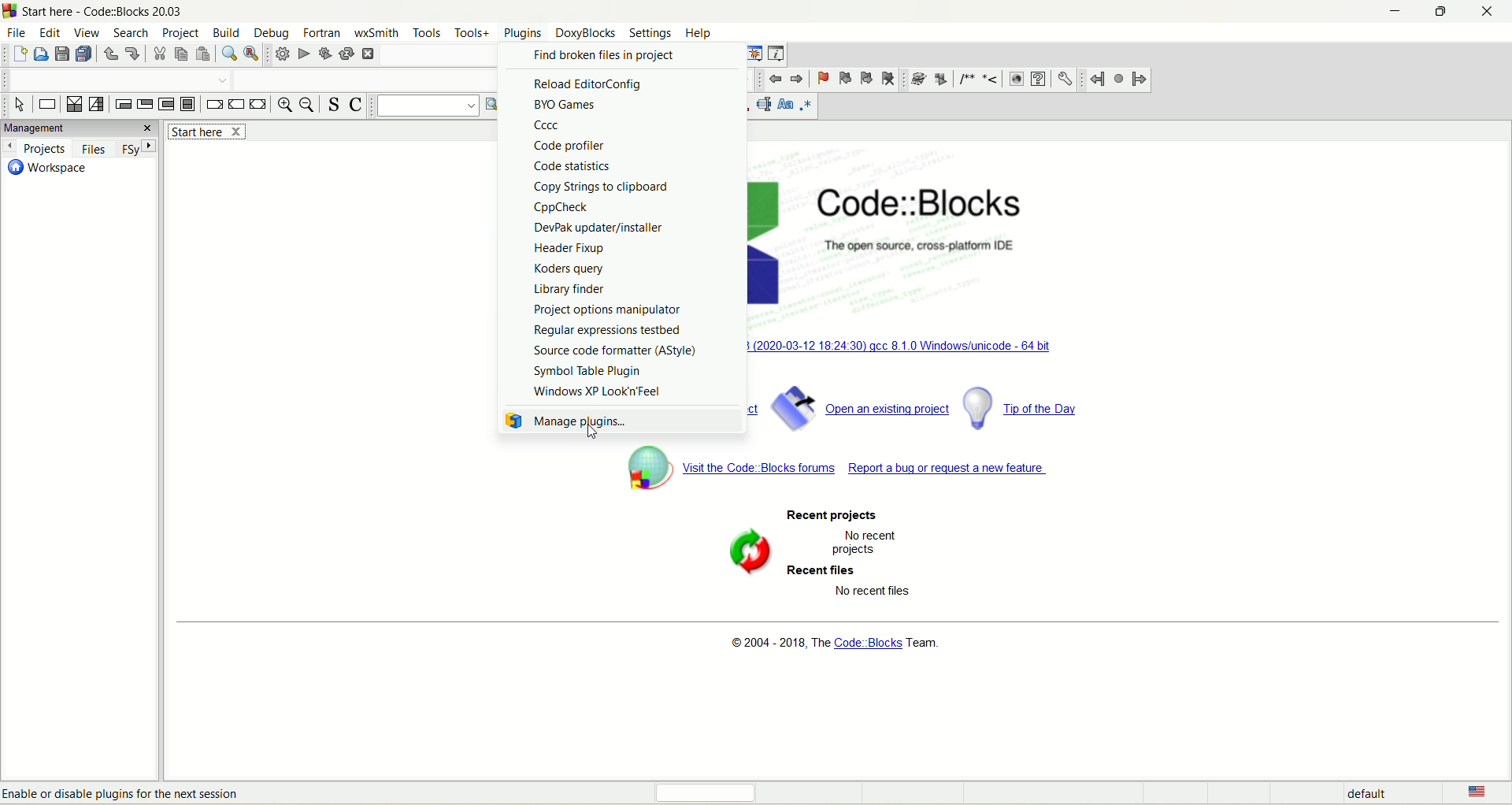  Describe the element at coordinates (1098, 79) in the screenshot. I see `jump back` at that location.